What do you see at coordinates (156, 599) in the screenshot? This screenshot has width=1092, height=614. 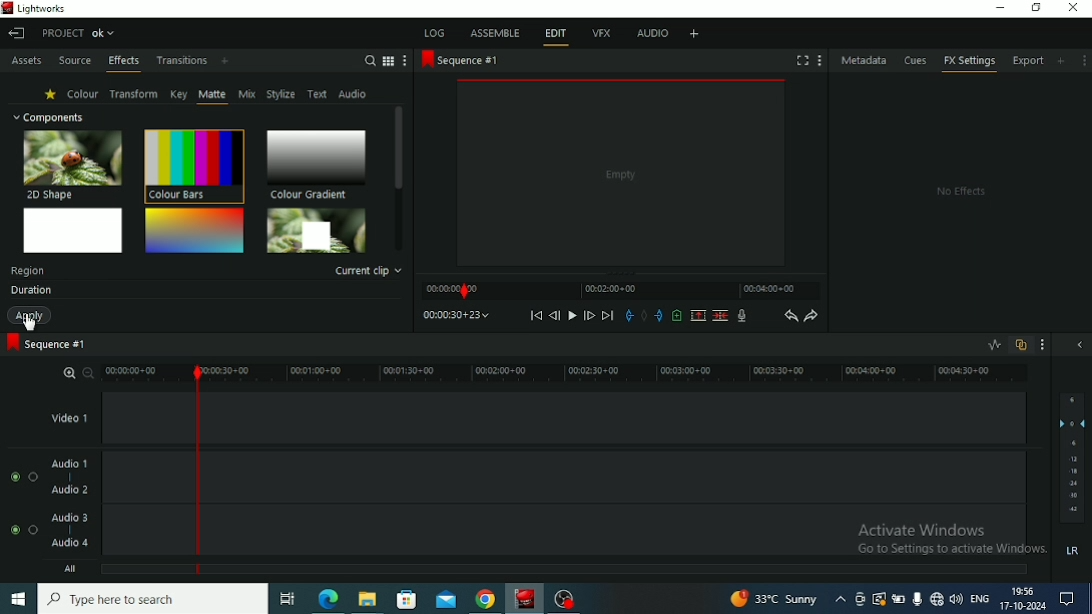 I see `Search bar` at bounding box center [156, 599].